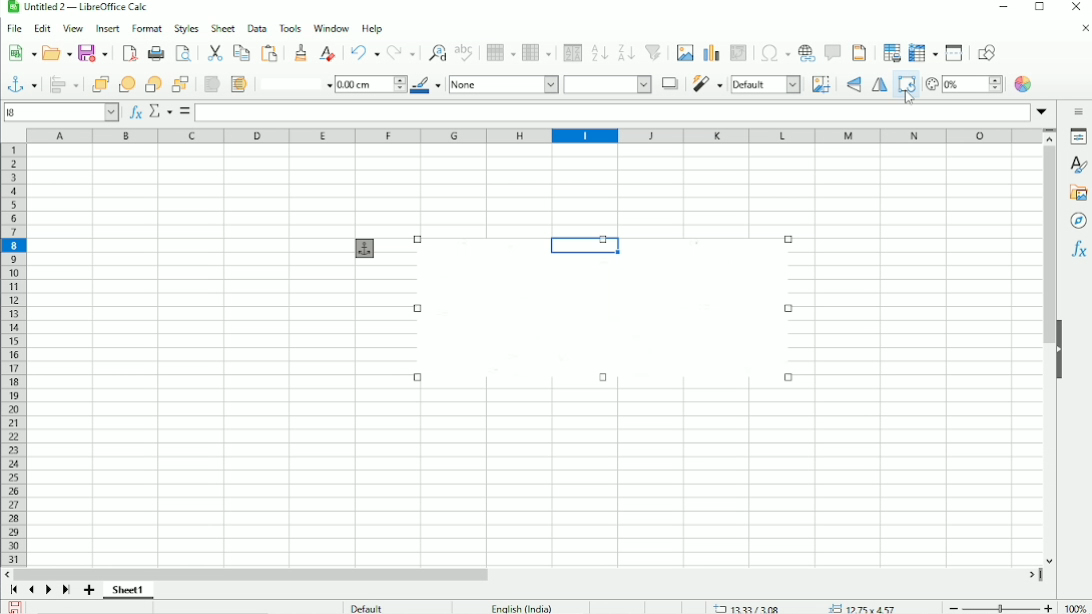 This screenshot has height=614, width=1092. Describe the element at coordinates (331, 26) in the screenshot. I see `Window` at that location.